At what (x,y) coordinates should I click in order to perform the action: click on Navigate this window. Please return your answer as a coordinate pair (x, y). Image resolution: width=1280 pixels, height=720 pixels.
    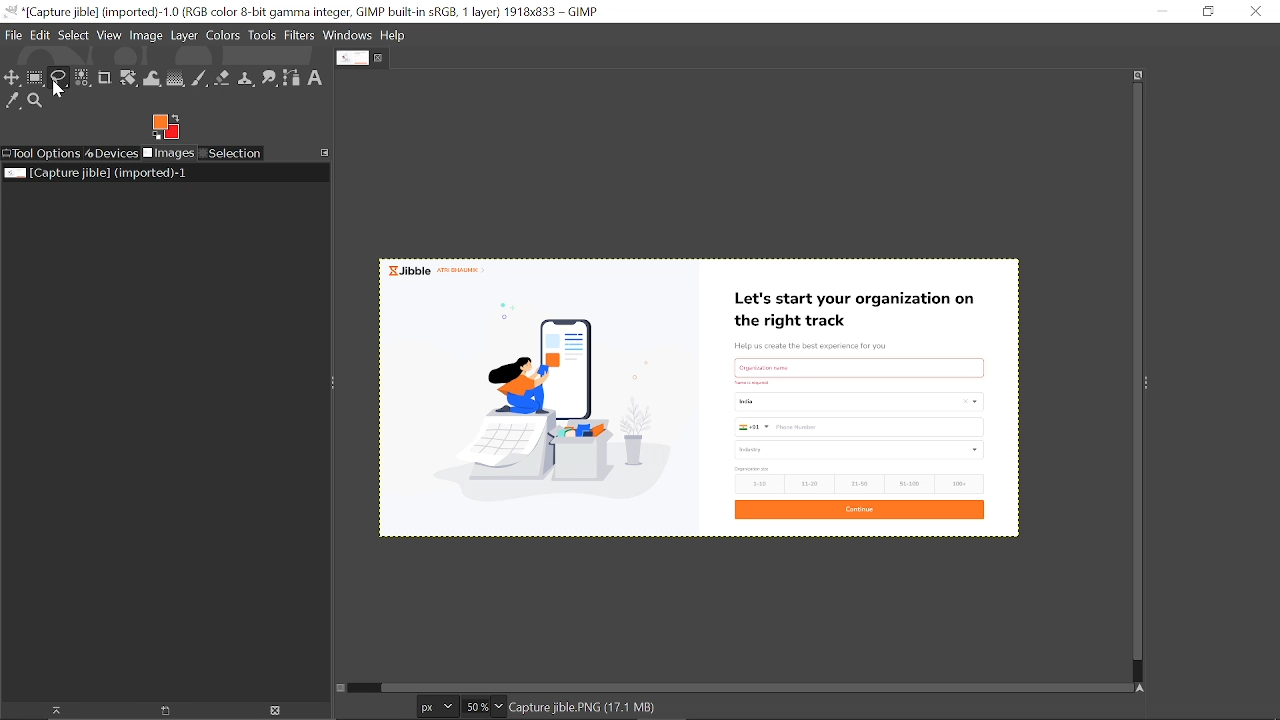
    Looking at the image, I should click on (1144, 689).